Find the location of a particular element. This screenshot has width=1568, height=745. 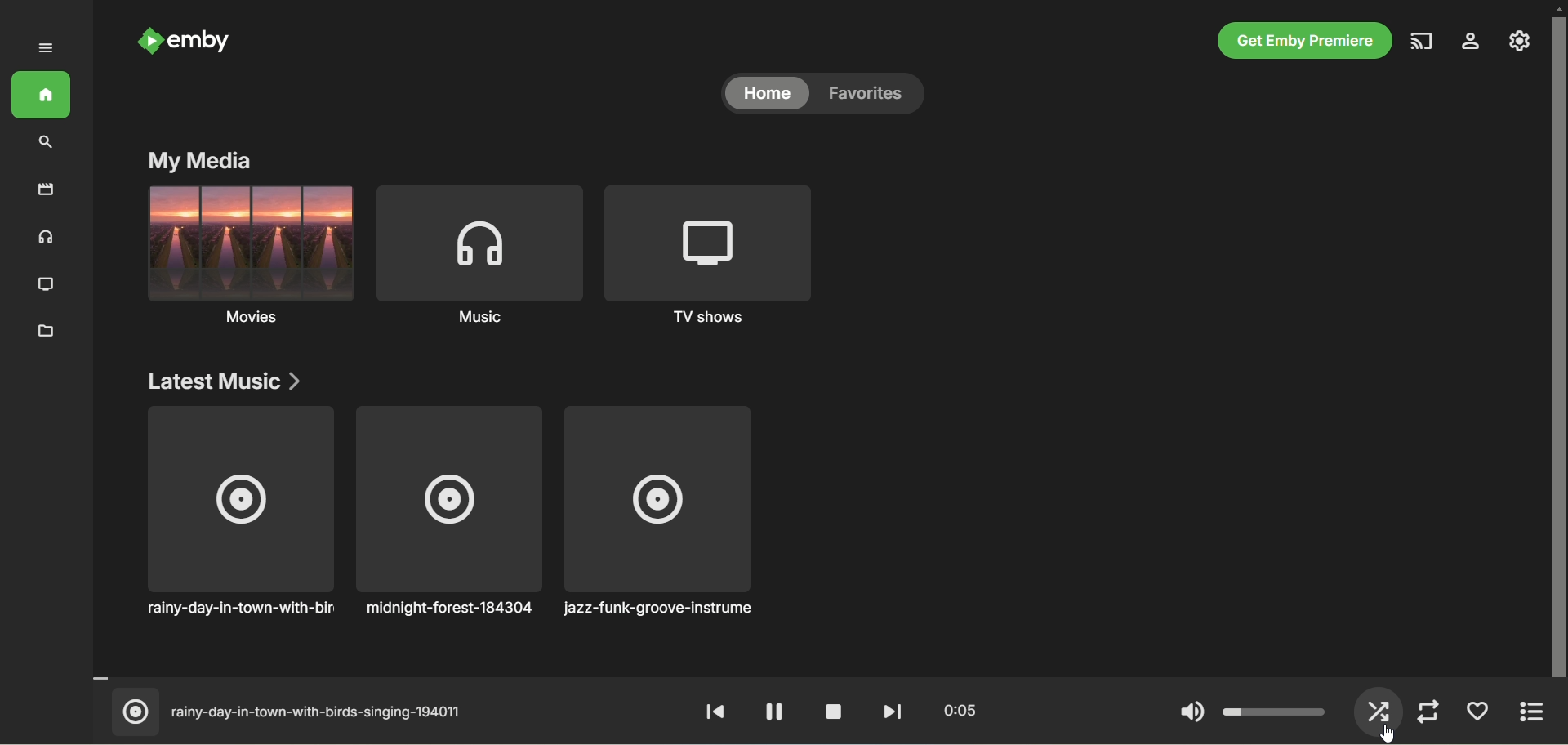

expand is located at coordinates (1527, 716).